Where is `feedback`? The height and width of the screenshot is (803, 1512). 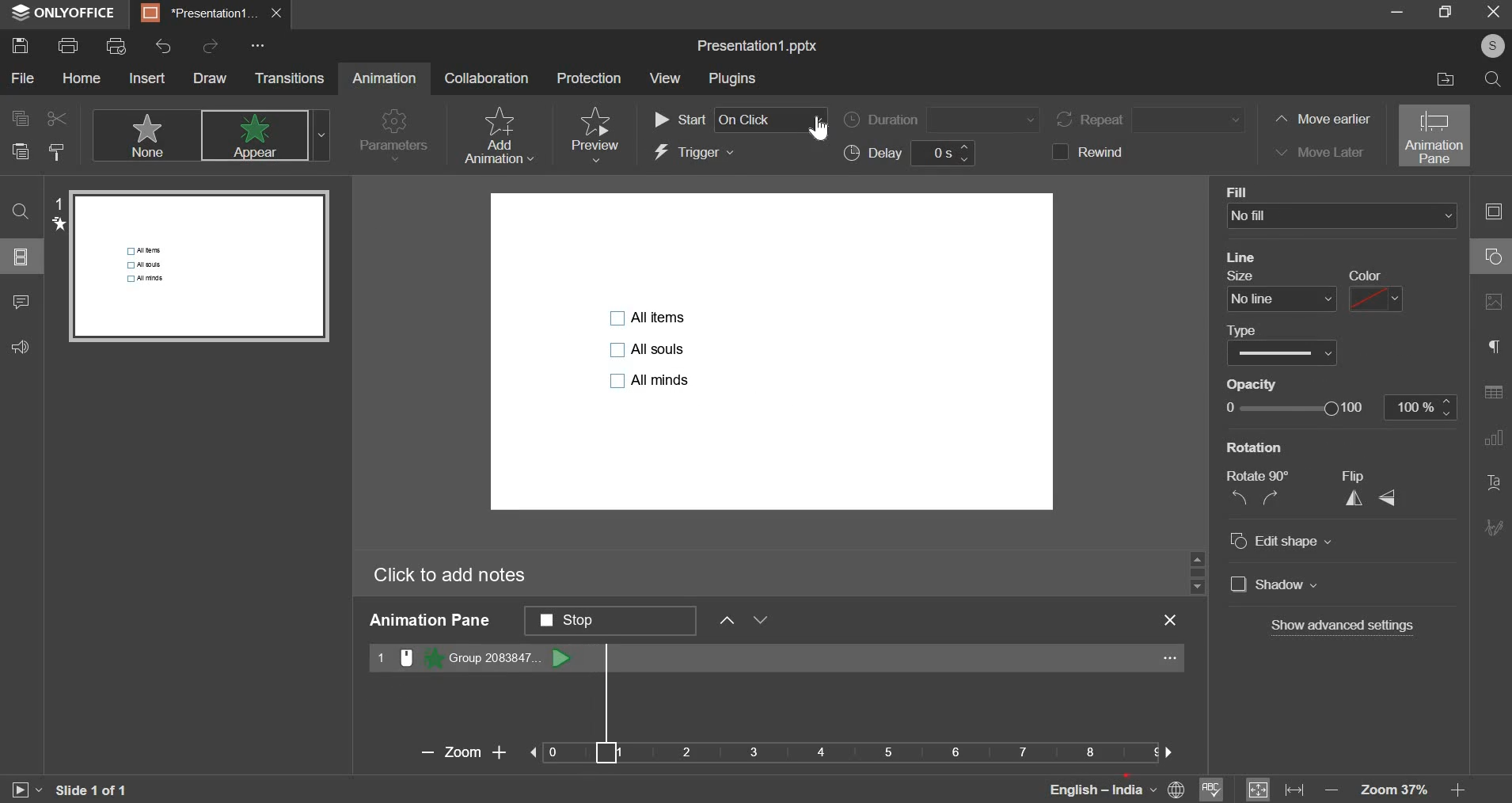 feedback is located at coordinates (28, 346).